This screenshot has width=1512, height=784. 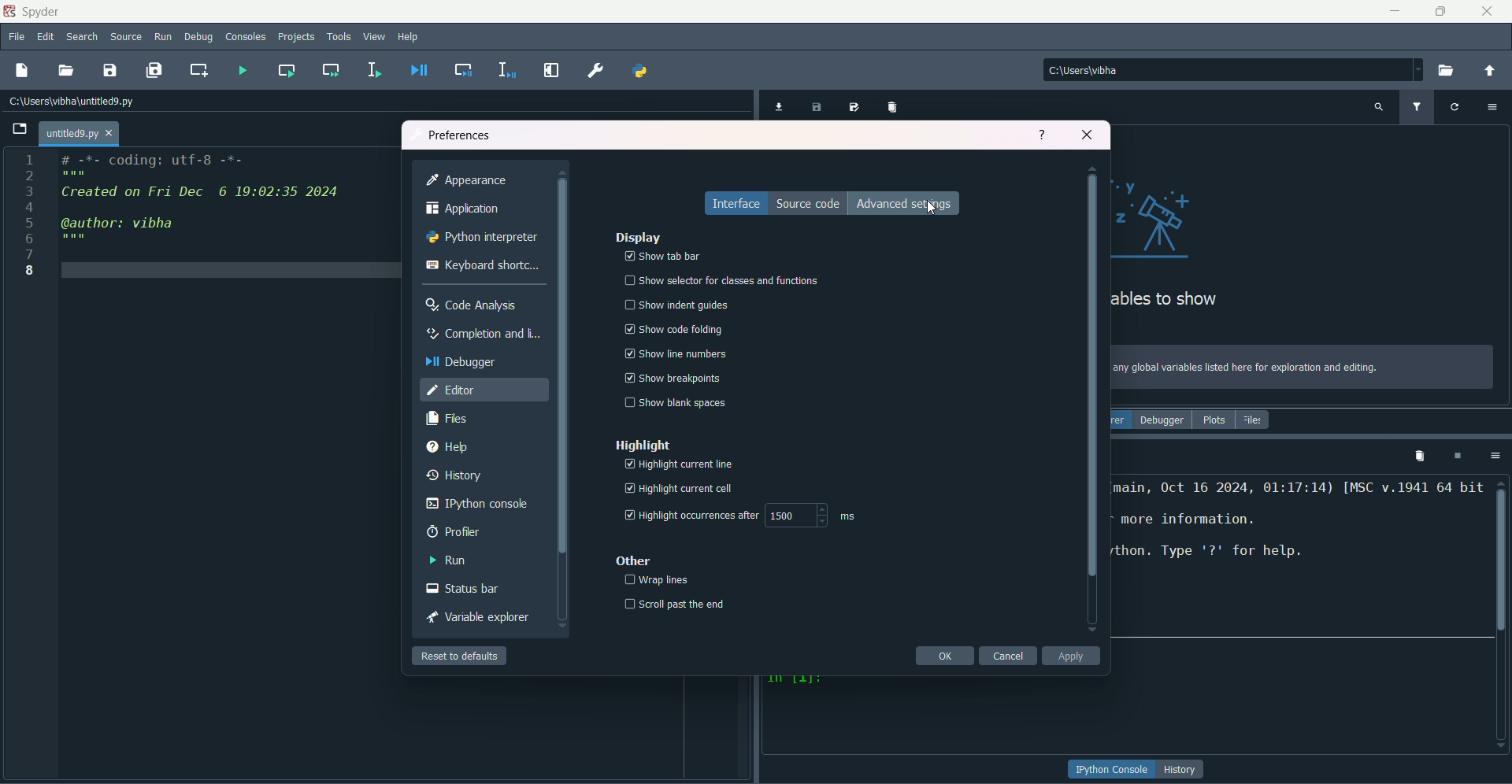 What do you see at coordinates (17, 38) in the screenshot?
I see `file` at bounding box center [17, 38].